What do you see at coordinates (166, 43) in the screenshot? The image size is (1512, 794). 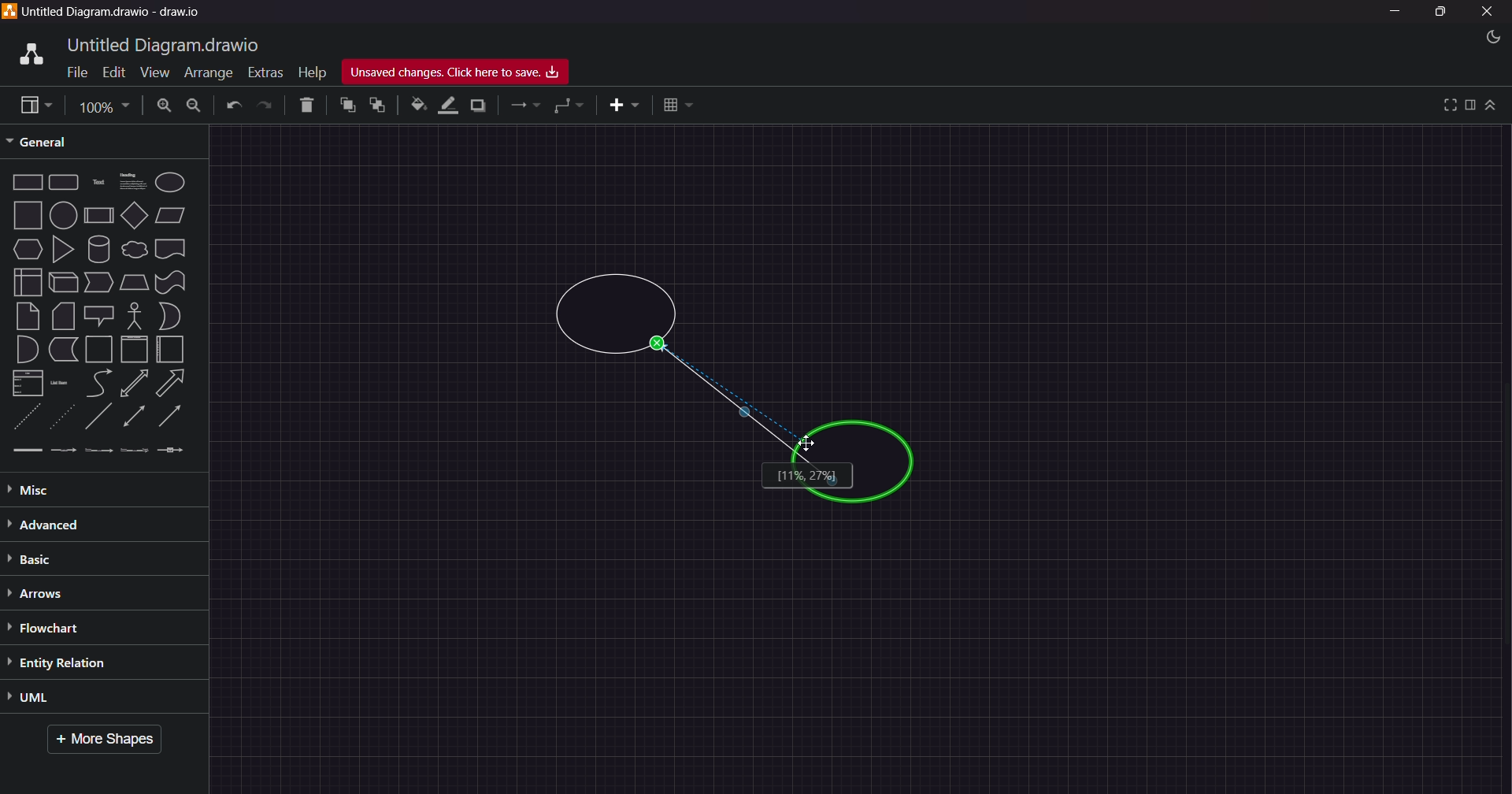 I see `title` at bounding box center [166, 43].